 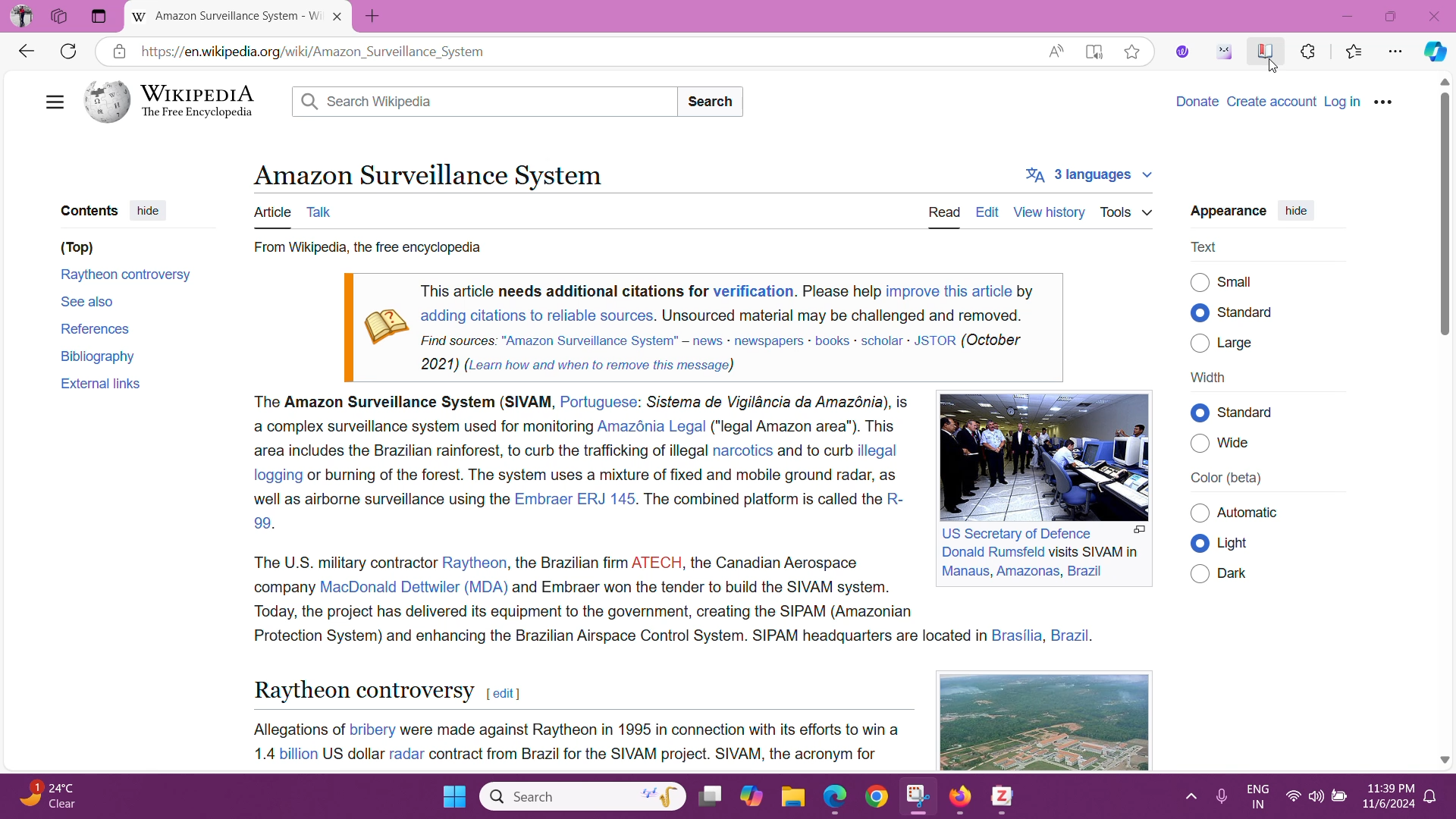 What do you see at coordinates (503, 694) in the screenshot?
I see `edit` at bounding box center [503, 694].